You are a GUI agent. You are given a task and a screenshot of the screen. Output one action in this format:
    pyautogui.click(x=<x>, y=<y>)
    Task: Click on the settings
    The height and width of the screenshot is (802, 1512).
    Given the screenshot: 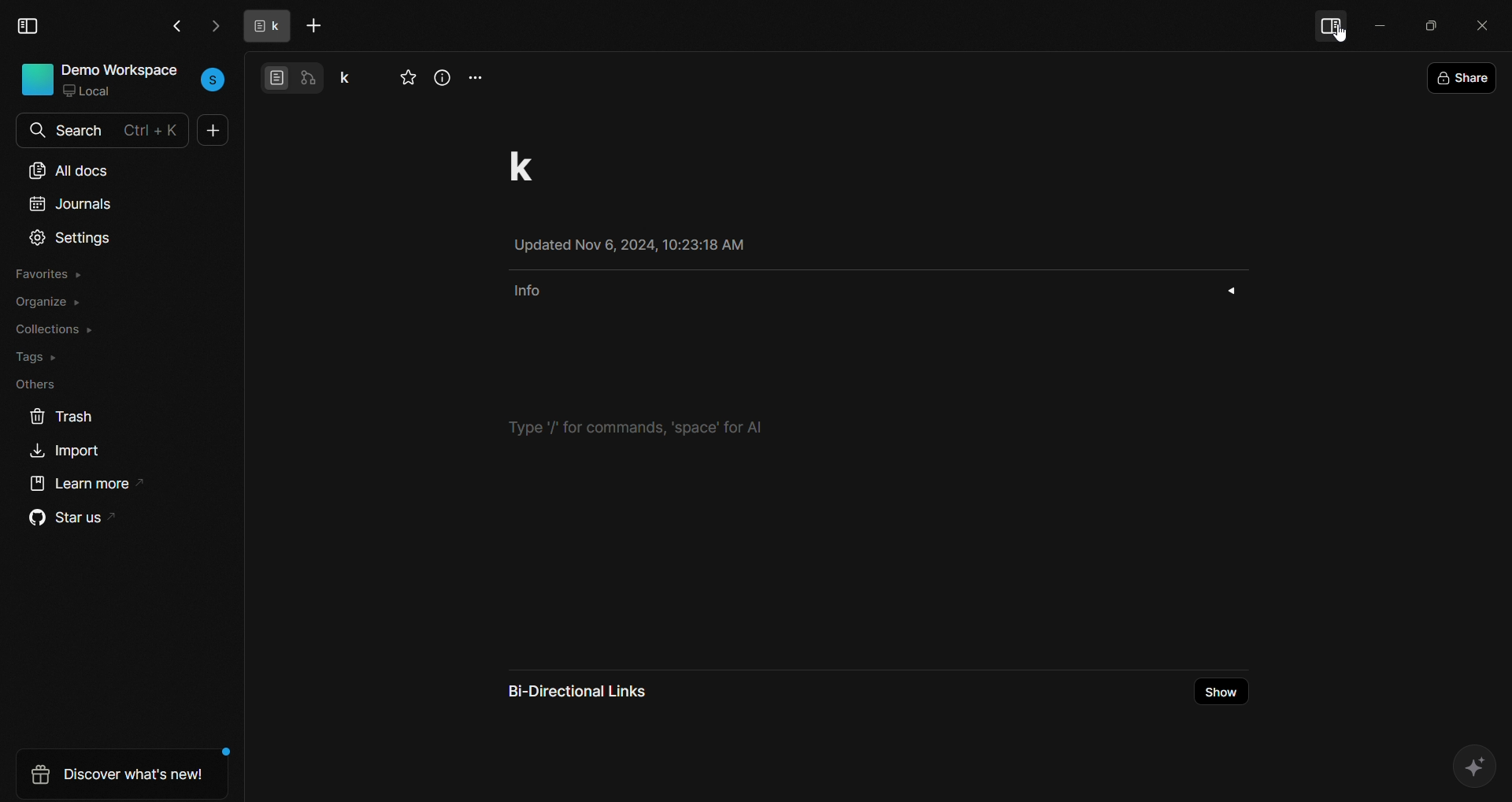 What is the action you would take?
    pyautogui.click(x=71, y=239)
    